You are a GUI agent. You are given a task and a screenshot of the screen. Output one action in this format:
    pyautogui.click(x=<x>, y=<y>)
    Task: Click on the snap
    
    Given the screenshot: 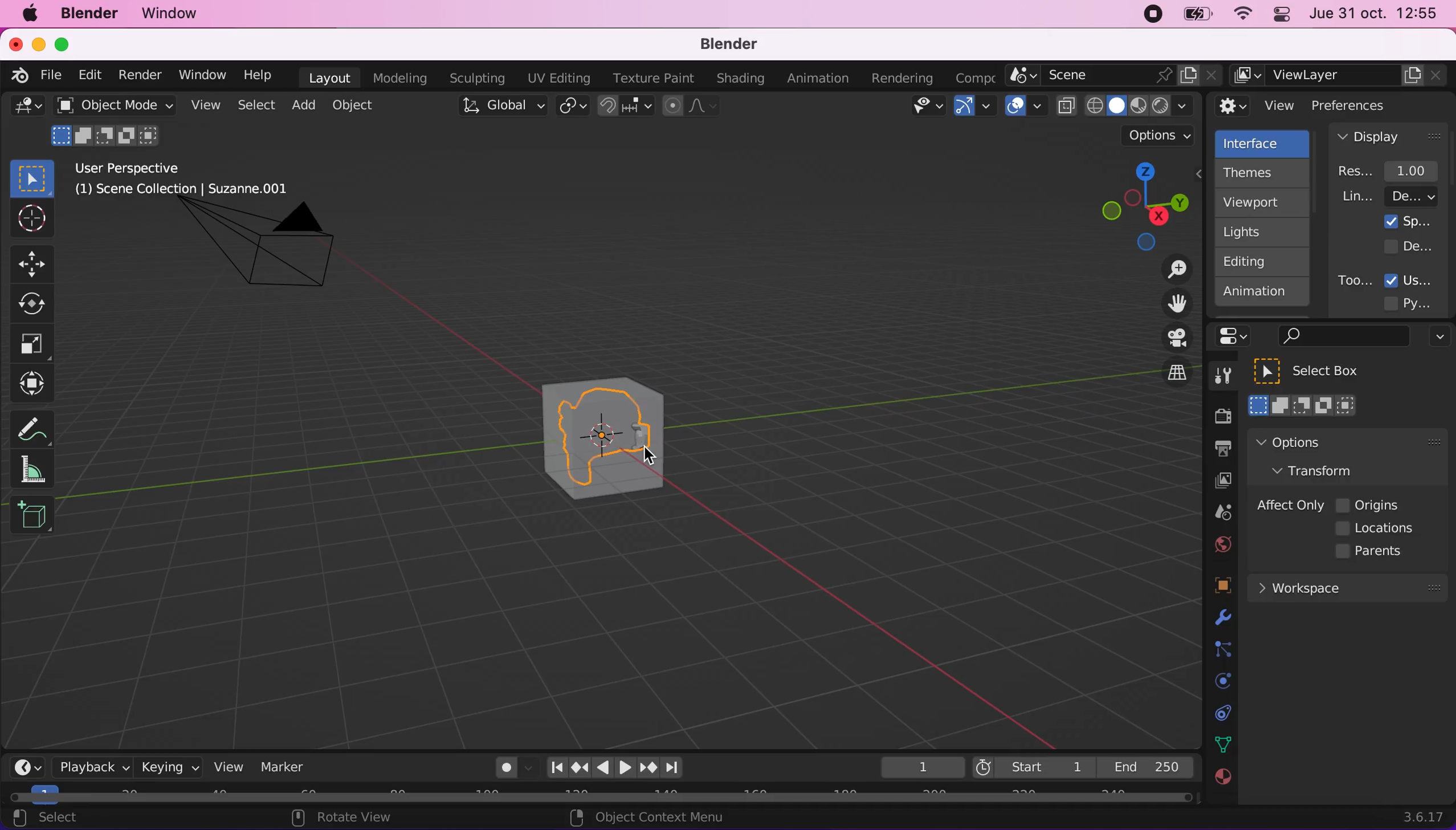 What is the action you would take?
    pyautogui.click(x=627, y=106)
    